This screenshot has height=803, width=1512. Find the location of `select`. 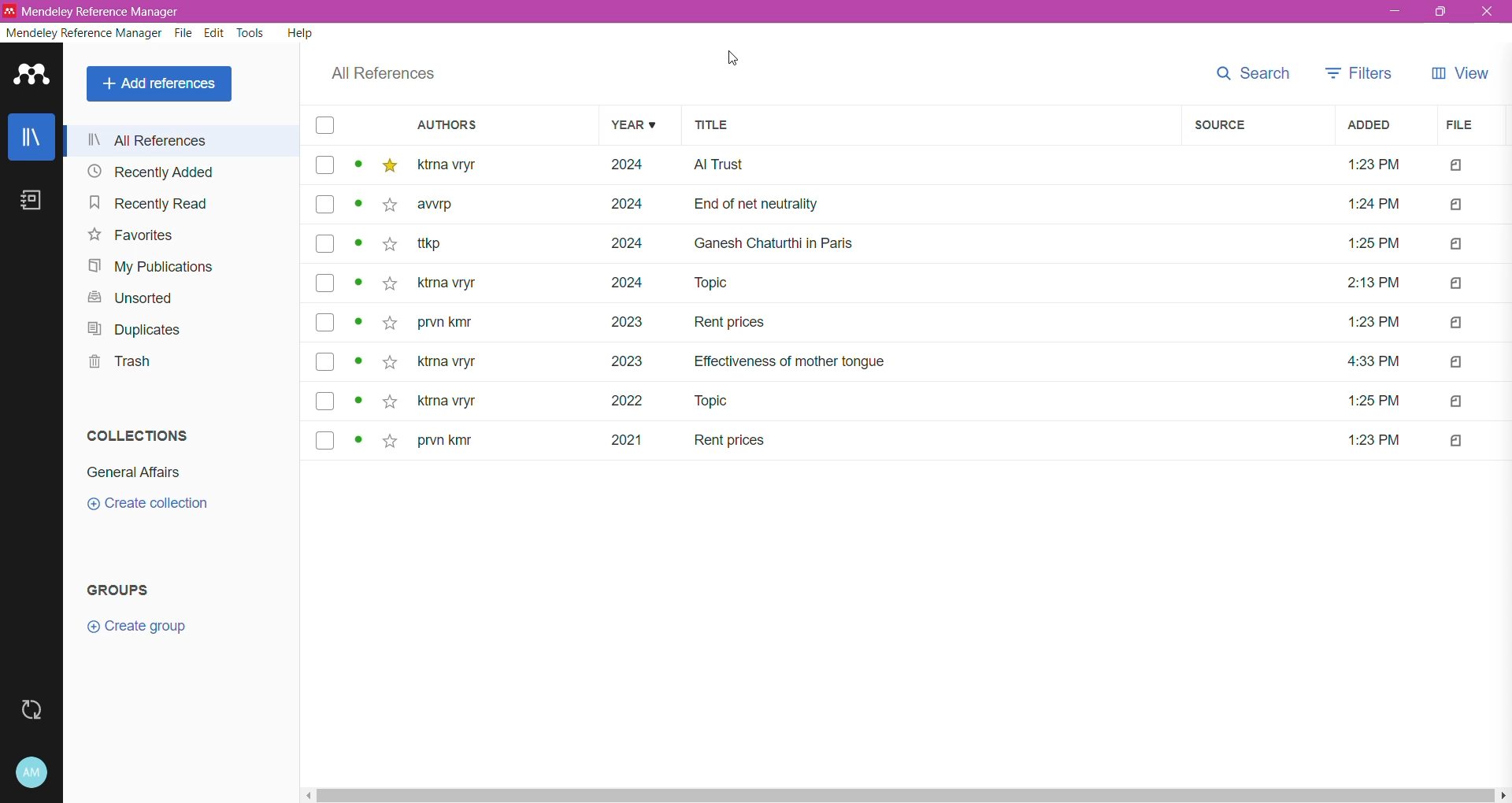

select is located at coordinates (325, 125).